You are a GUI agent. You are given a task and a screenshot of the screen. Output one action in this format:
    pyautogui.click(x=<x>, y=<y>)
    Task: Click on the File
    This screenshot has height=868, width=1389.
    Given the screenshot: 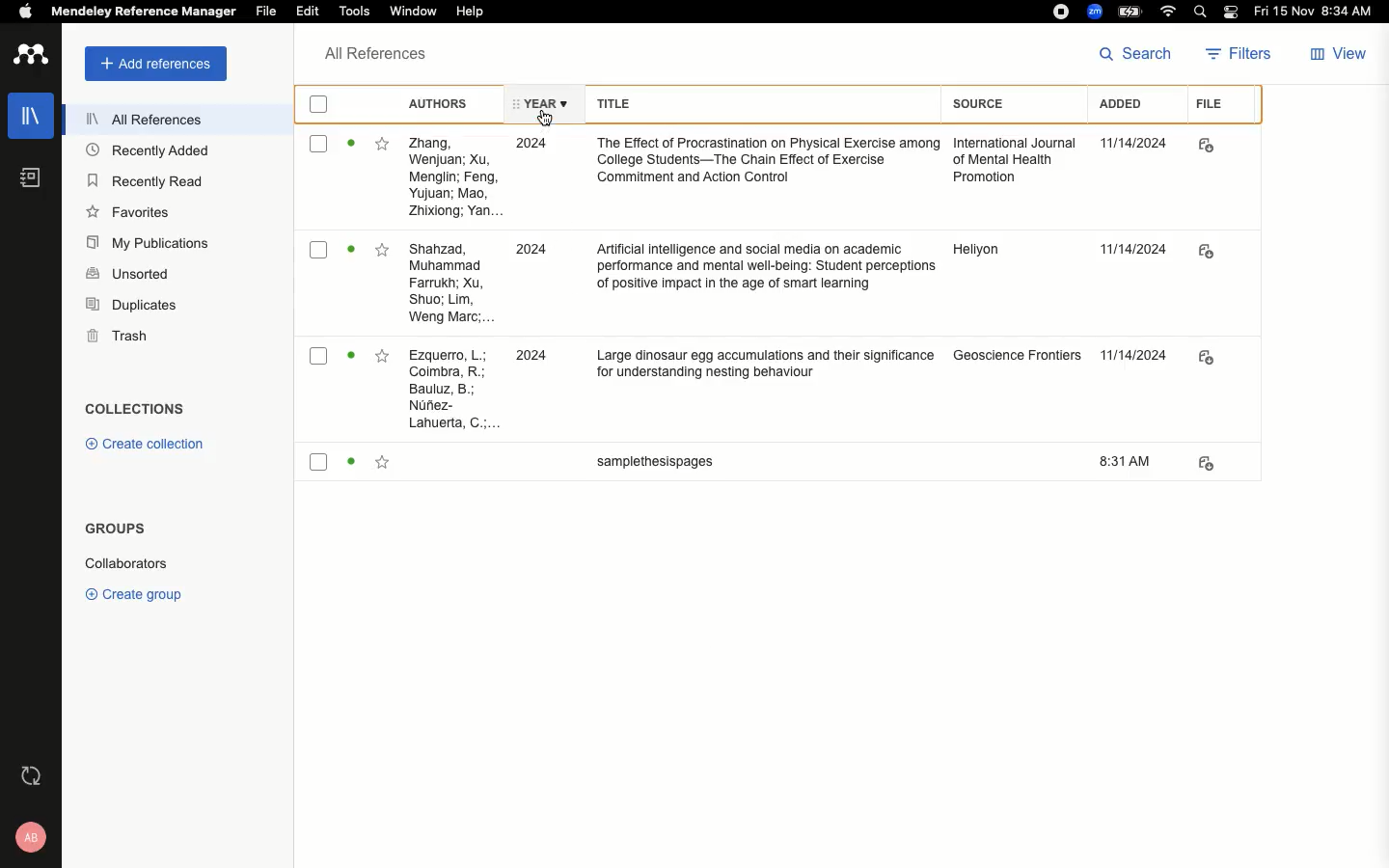 What is the action you would take?
    pyautogui.click(x=1208, y=106)
    